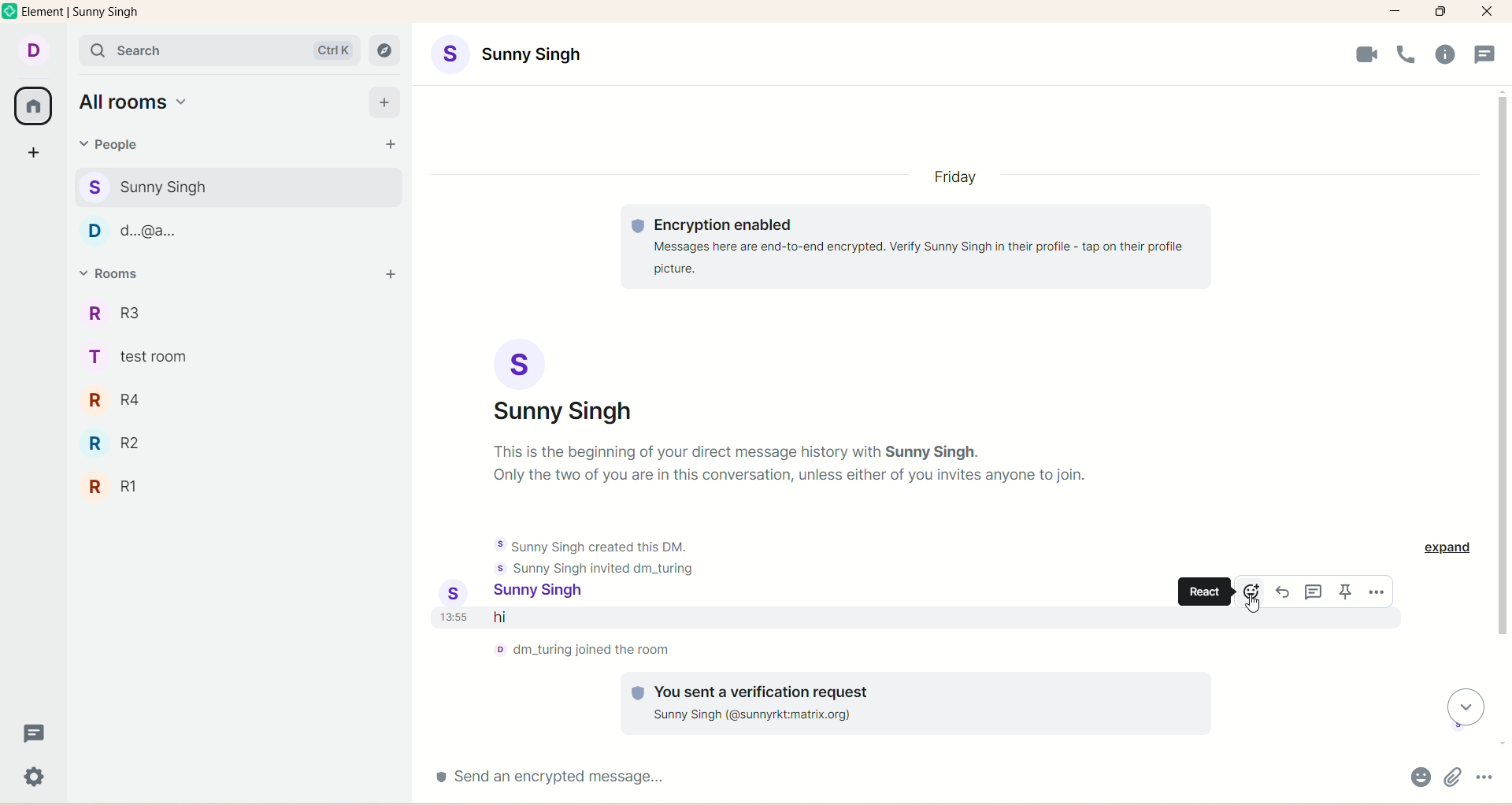 The width and height of the screenshot is (1512, 805). What do you see at coordinates (219, 50) in the screenshot?
I see `search` at bounding box center [219, 50].